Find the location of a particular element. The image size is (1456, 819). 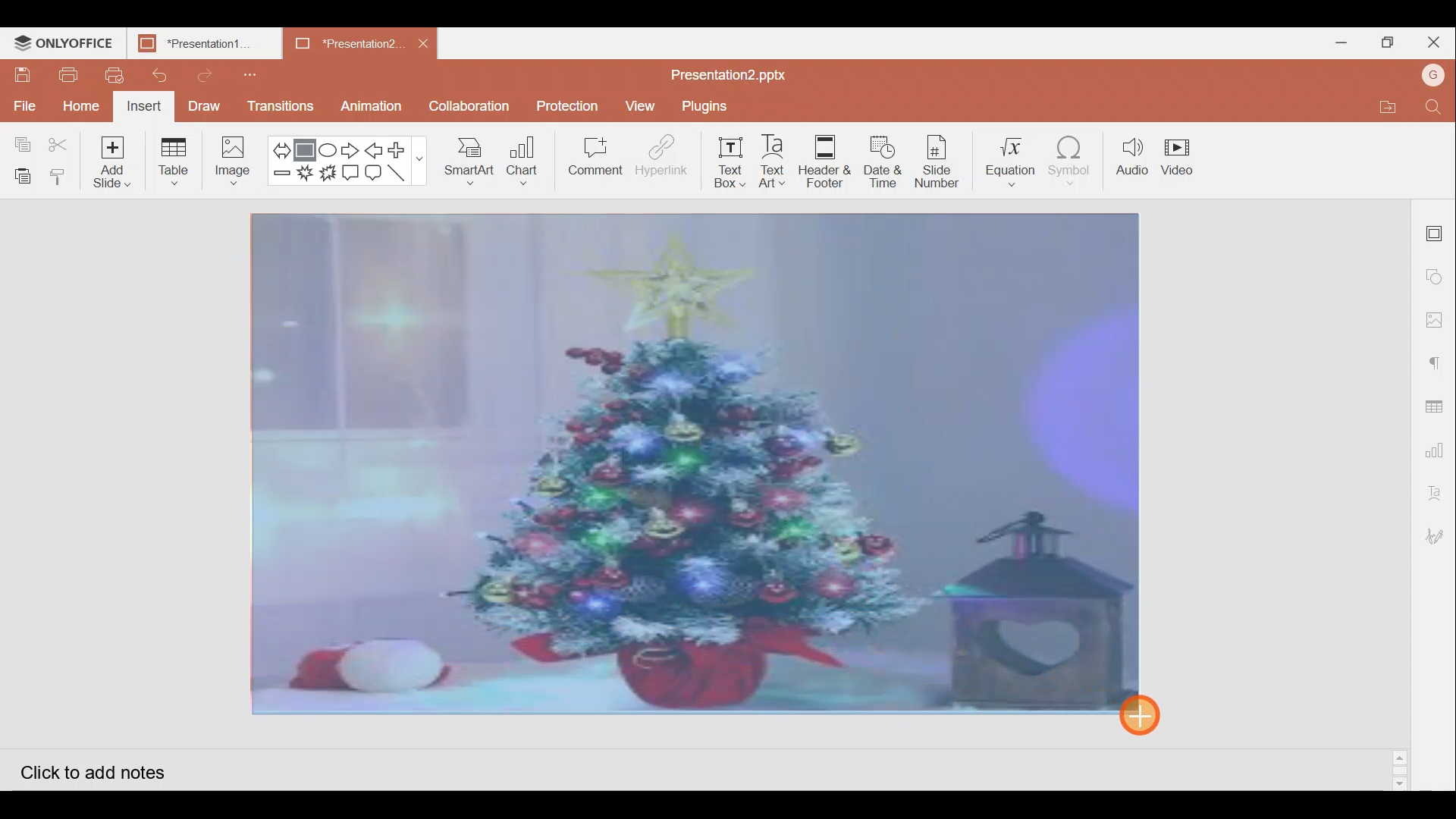

Add slide is located at coordinates (114, 162).